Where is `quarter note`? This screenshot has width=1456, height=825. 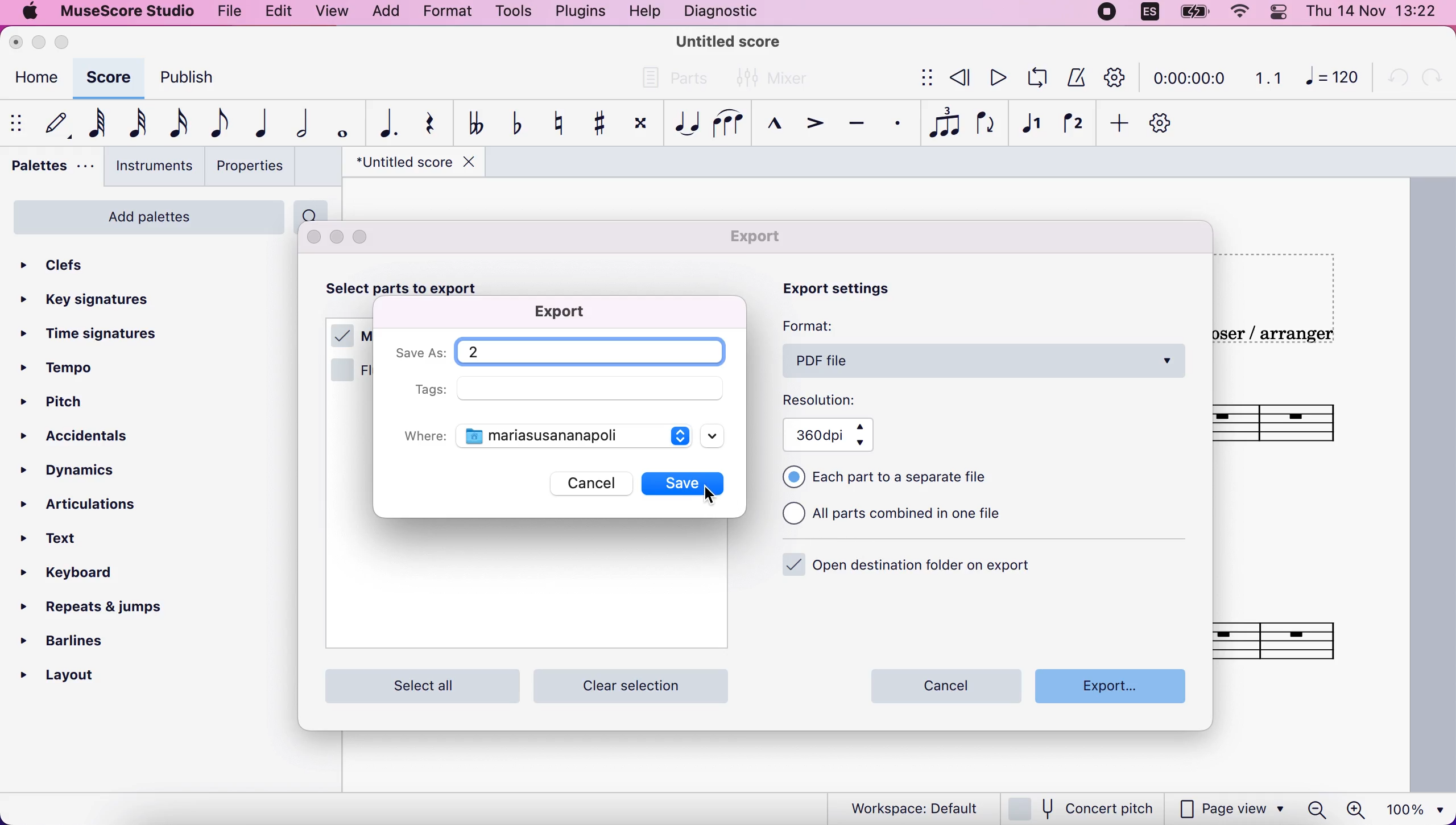
quarter note is located at coordinates (262, 125).